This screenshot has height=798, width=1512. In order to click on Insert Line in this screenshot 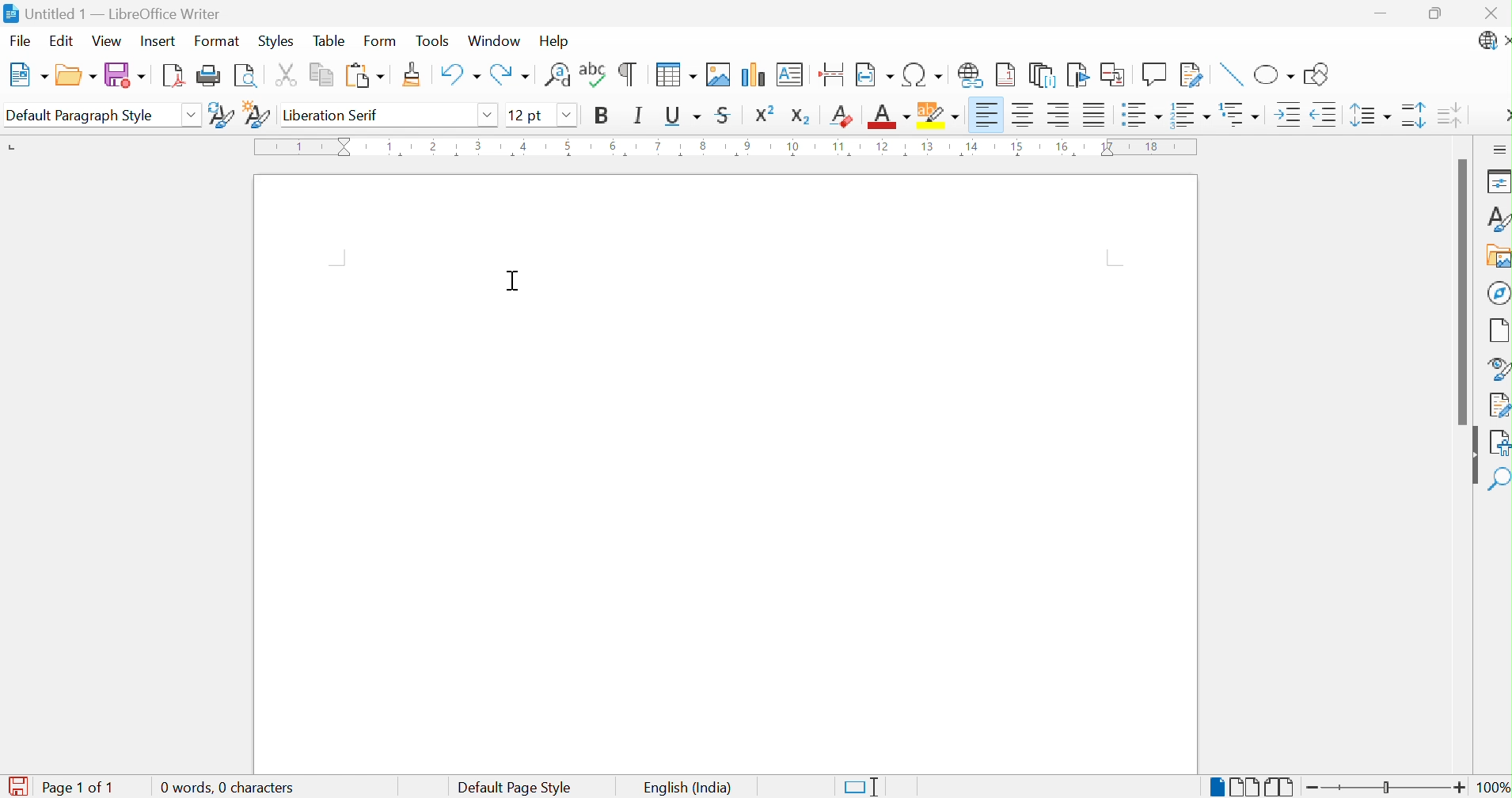, I will do `click(1229, 74)`.